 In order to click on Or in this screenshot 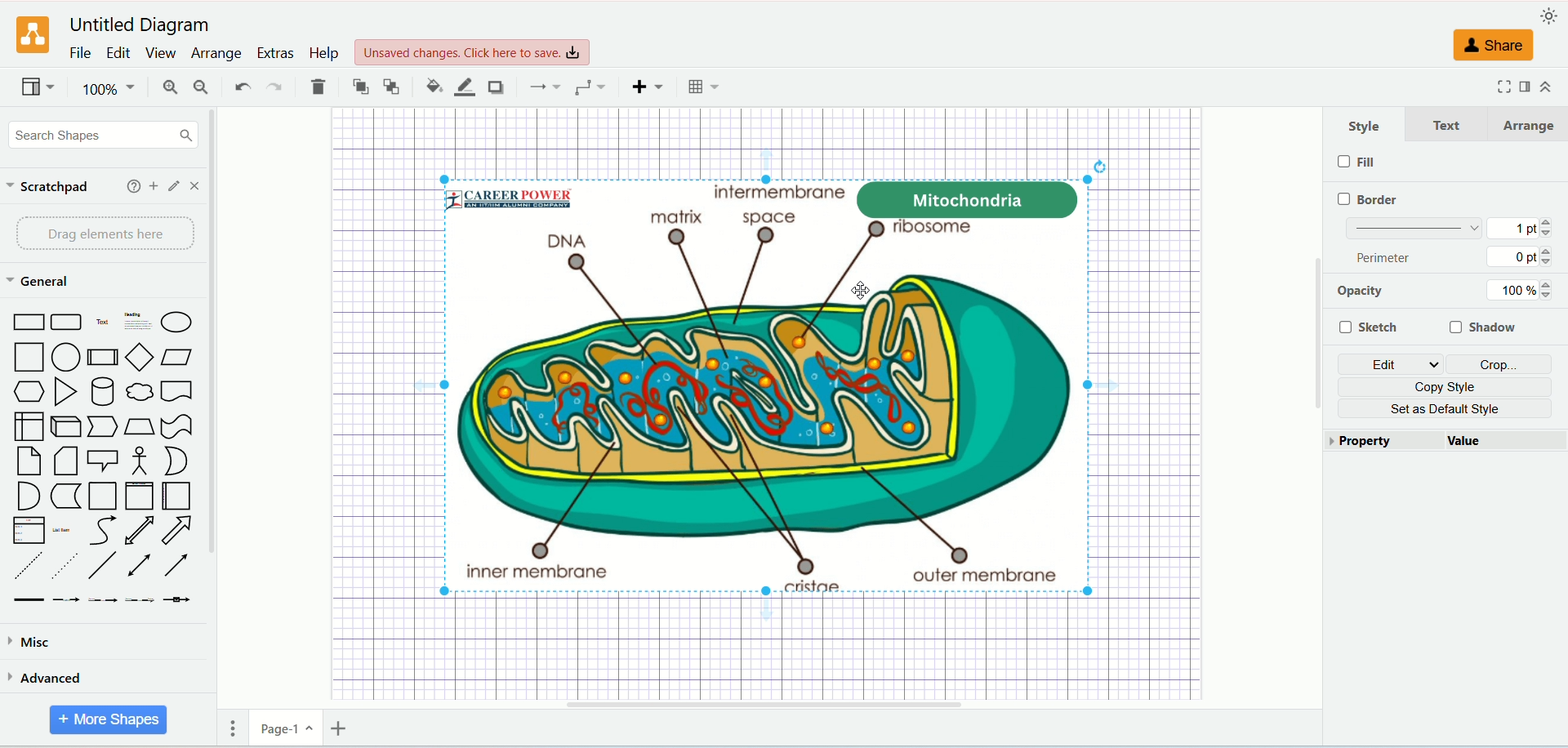, I will do `click(178, 461)`.